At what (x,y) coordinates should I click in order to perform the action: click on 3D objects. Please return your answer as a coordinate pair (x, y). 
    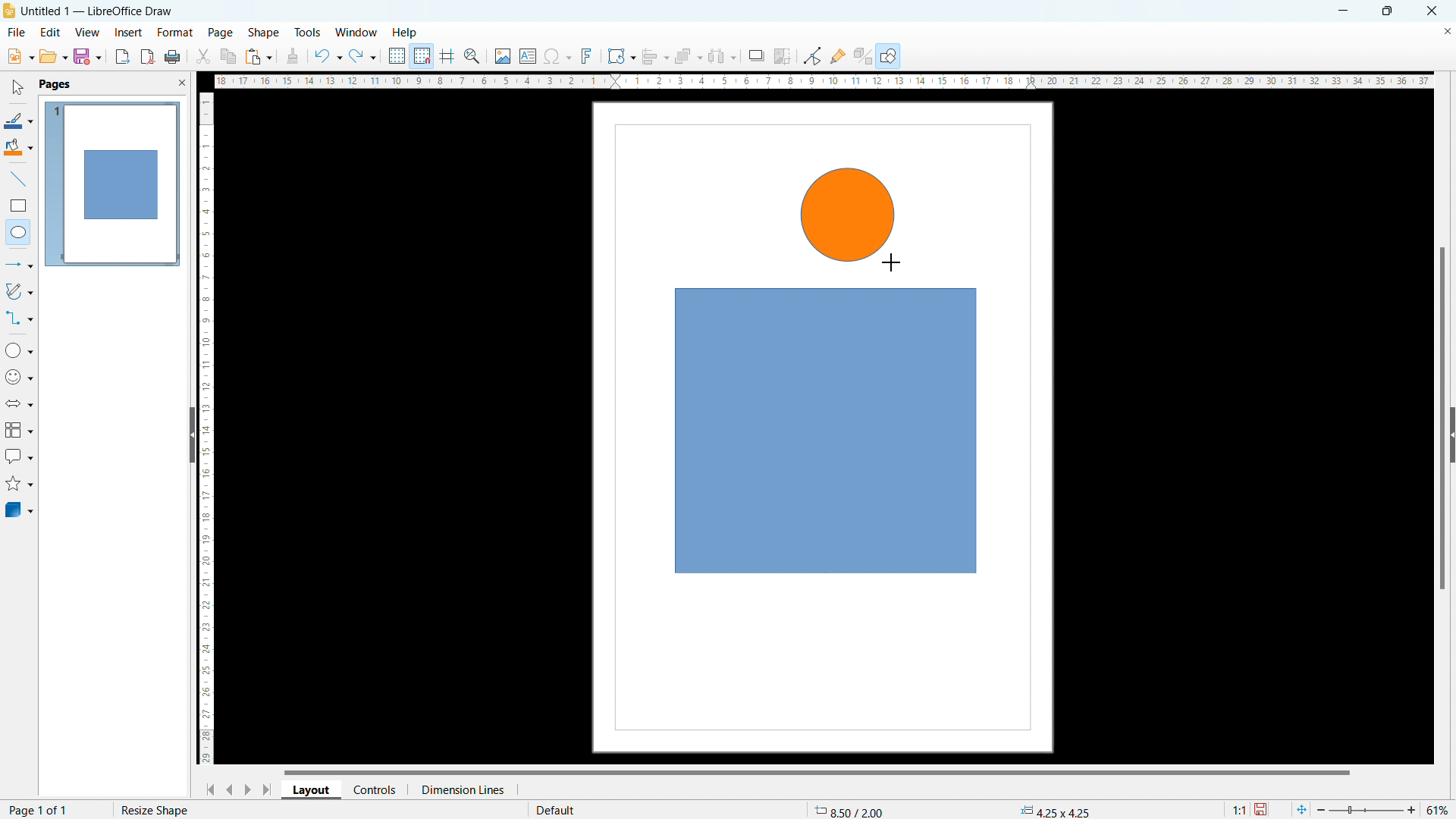
    Looking at the image, I should click on (18, 509).